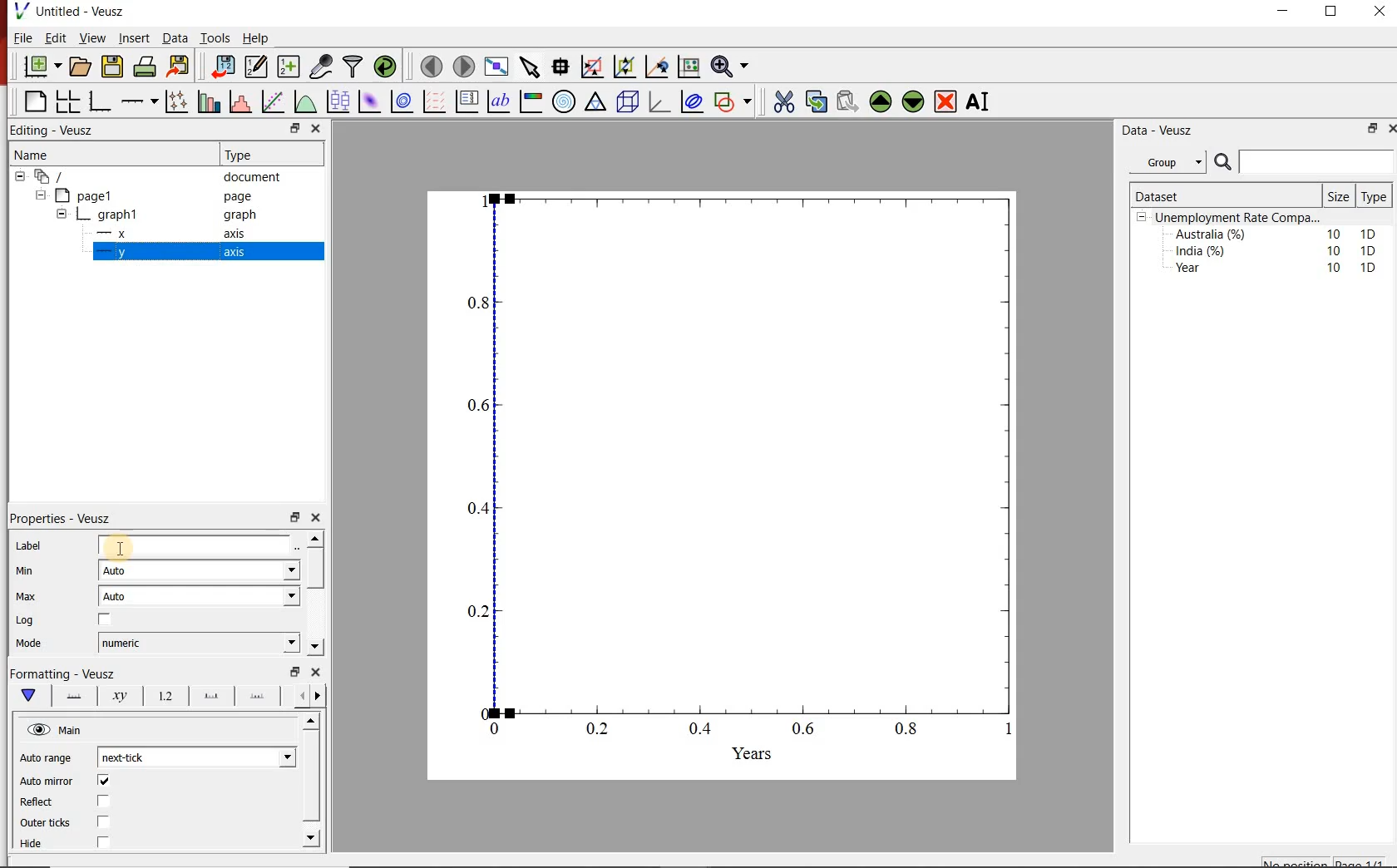 This screenshot has width=1397, height=868. Describe the element at coordinates (67, 101) in the screenshot. I see `arrange graphs` at that location.